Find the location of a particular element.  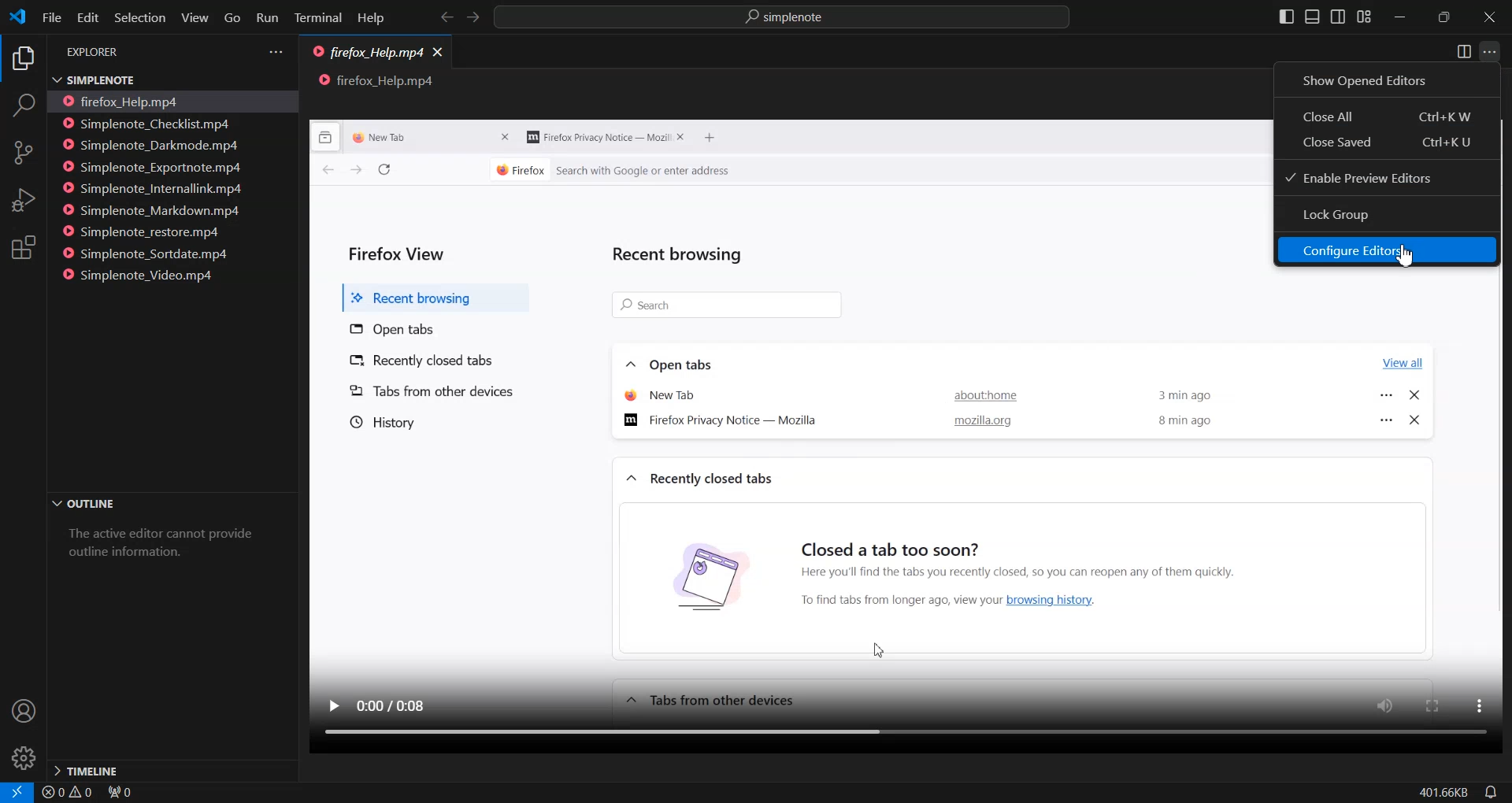

No notification is located at coordinates (1488, 792).